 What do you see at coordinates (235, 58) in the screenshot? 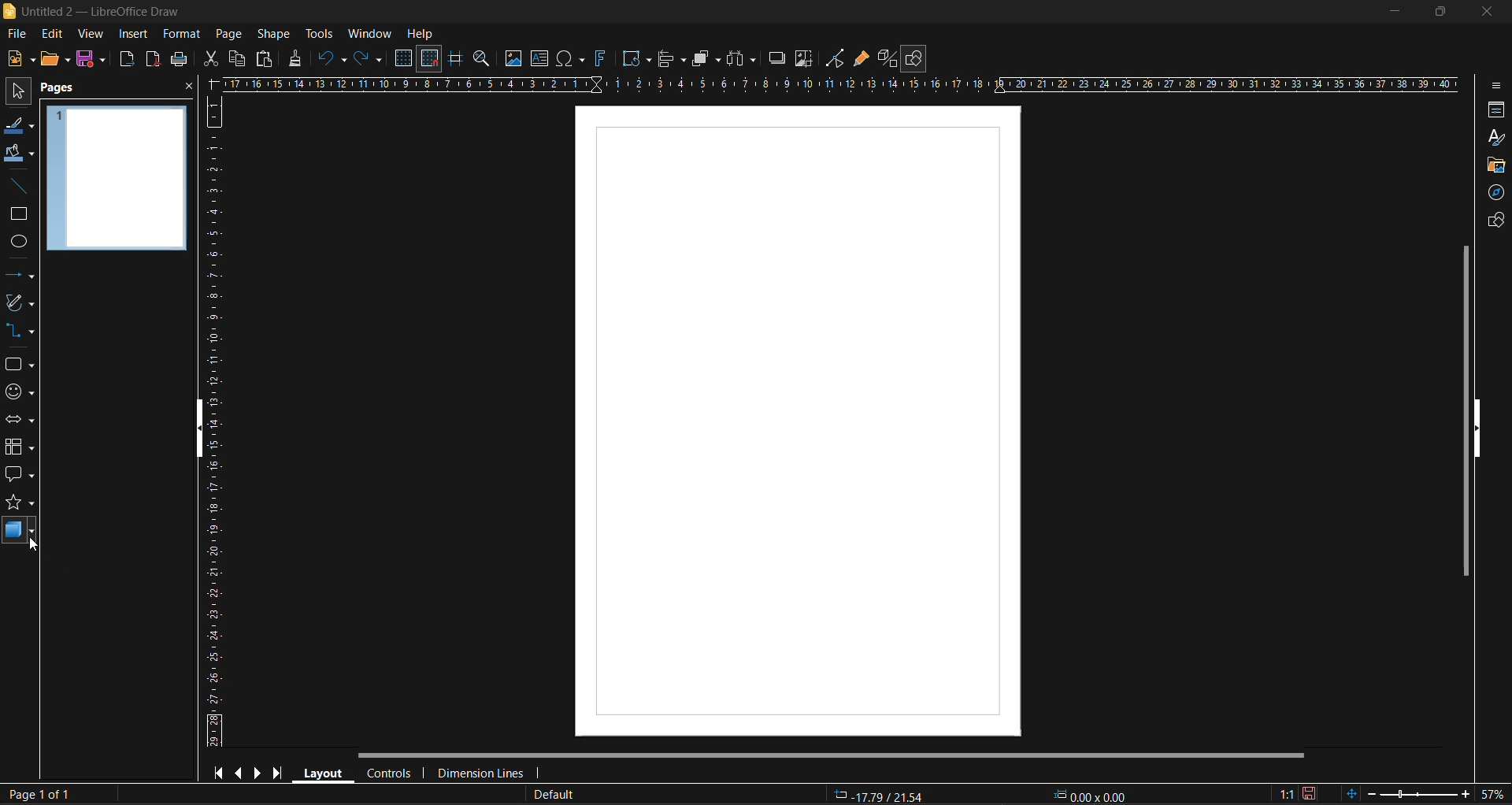
I see `copy` at bounding box center [235, 58].